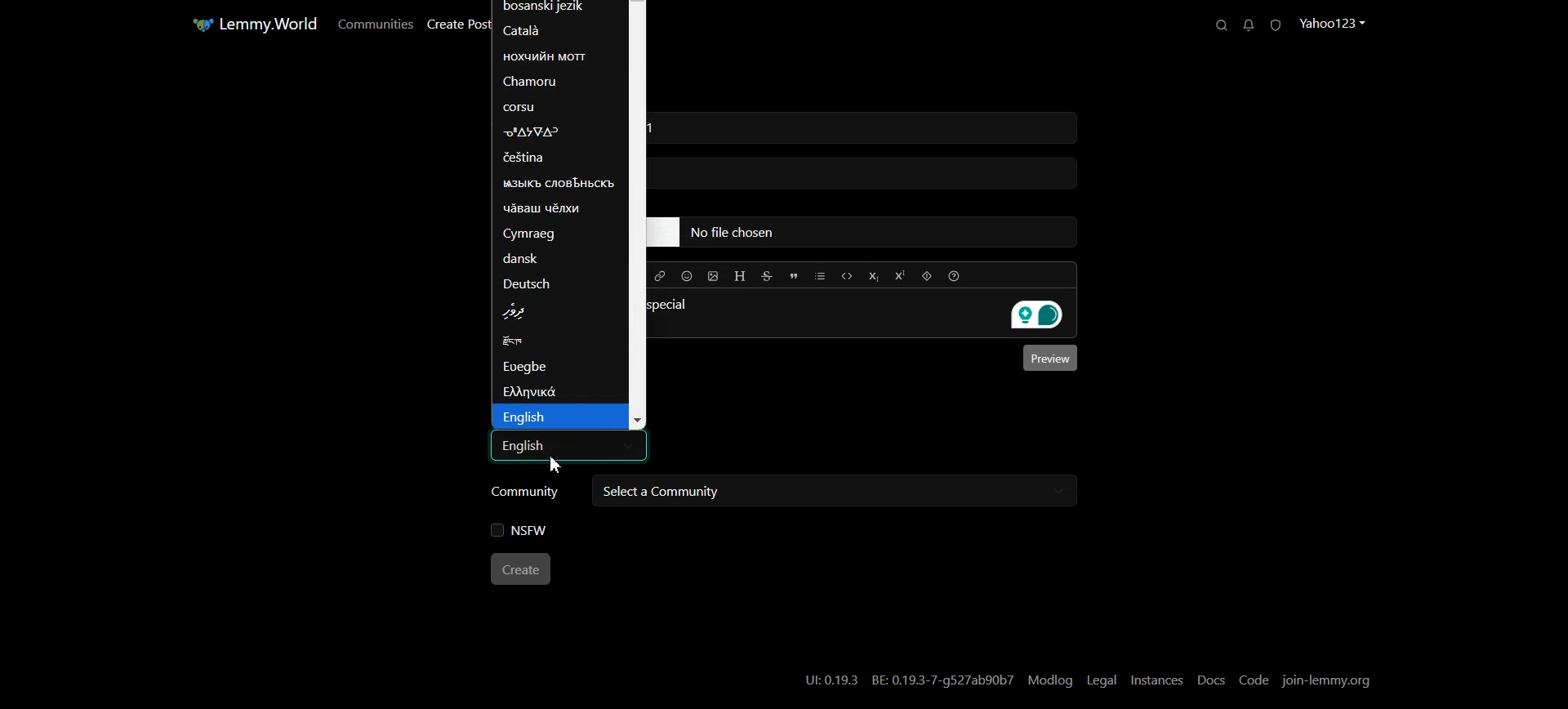 This screenshot has height=709, width=1568. What do you see at coordinates (526, 493) in the screenshot?
I see `Community` at bounding box center [526, 493].